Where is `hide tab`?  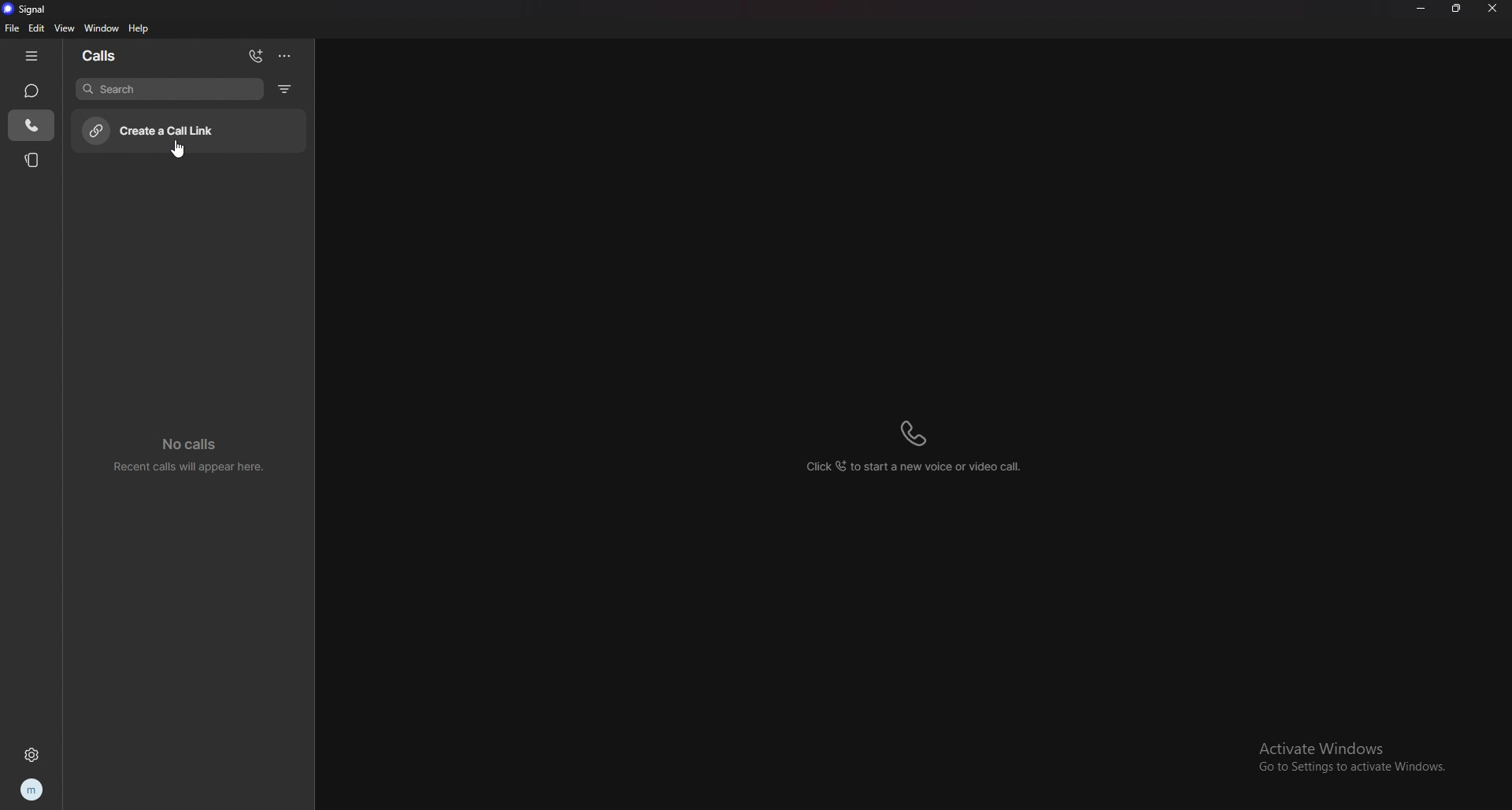 hide tab is located at coordinates (31, 57).